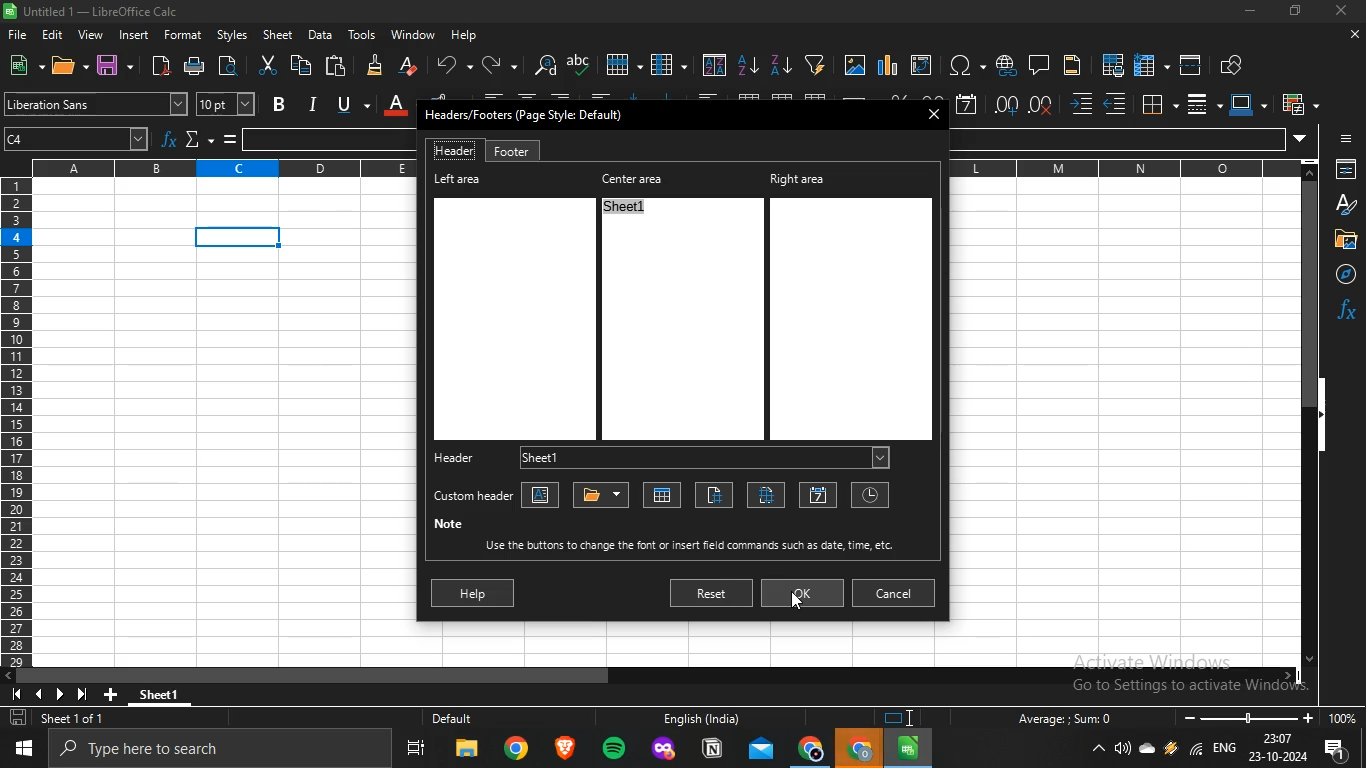 This screenshot has width=1366, height=768. What do you see at coordinates (319, 34) in the screenshot?
I see `data` at bounding box center [319, 34].